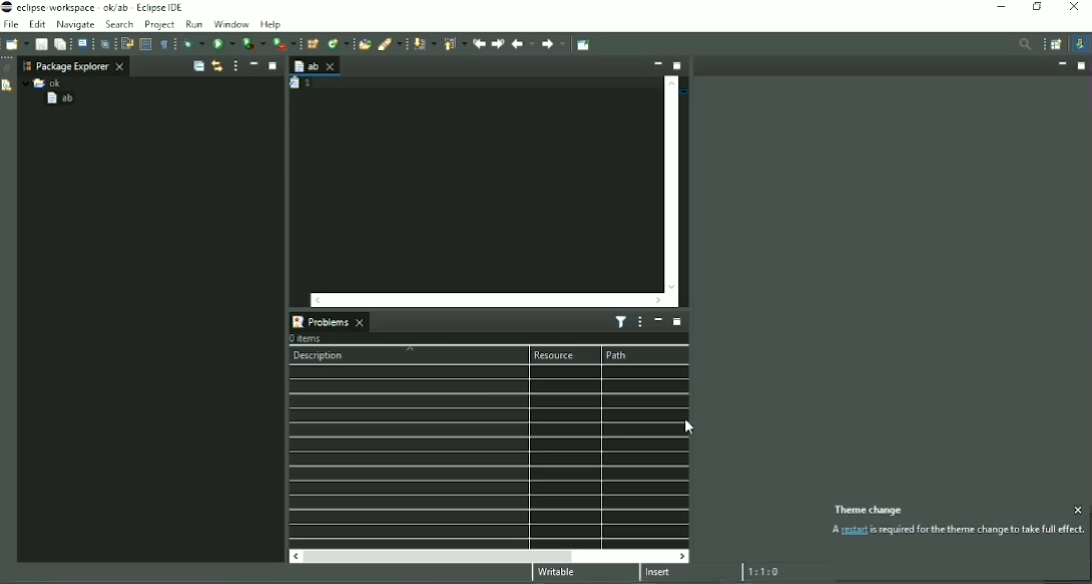 The image size is (1092, 584). What do you see at coordinates (488, 302) in the screenshot?
I see `Horizontal scrollbar` at bounding box center [488, 302].